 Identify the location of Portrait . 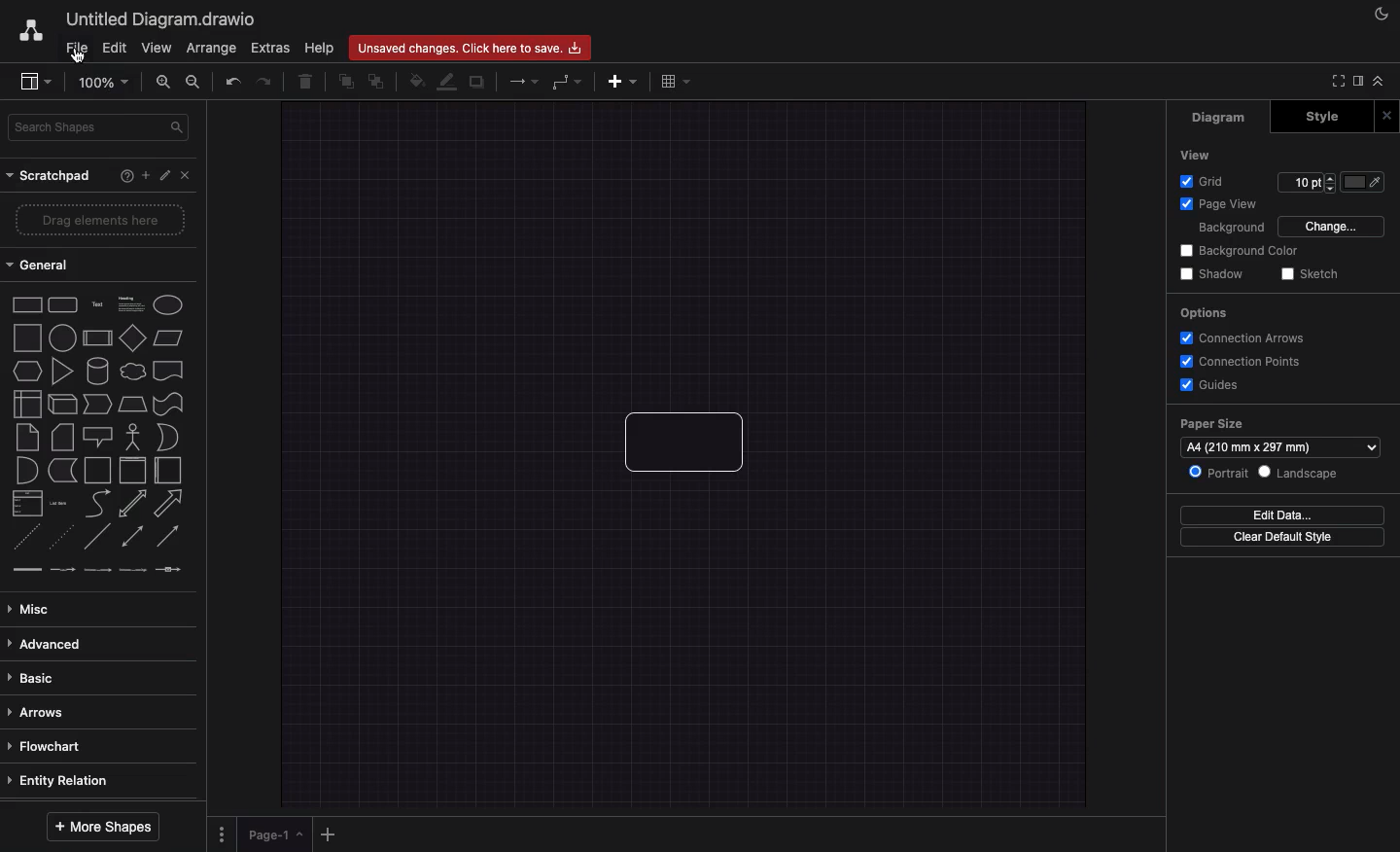
(1219, 474).